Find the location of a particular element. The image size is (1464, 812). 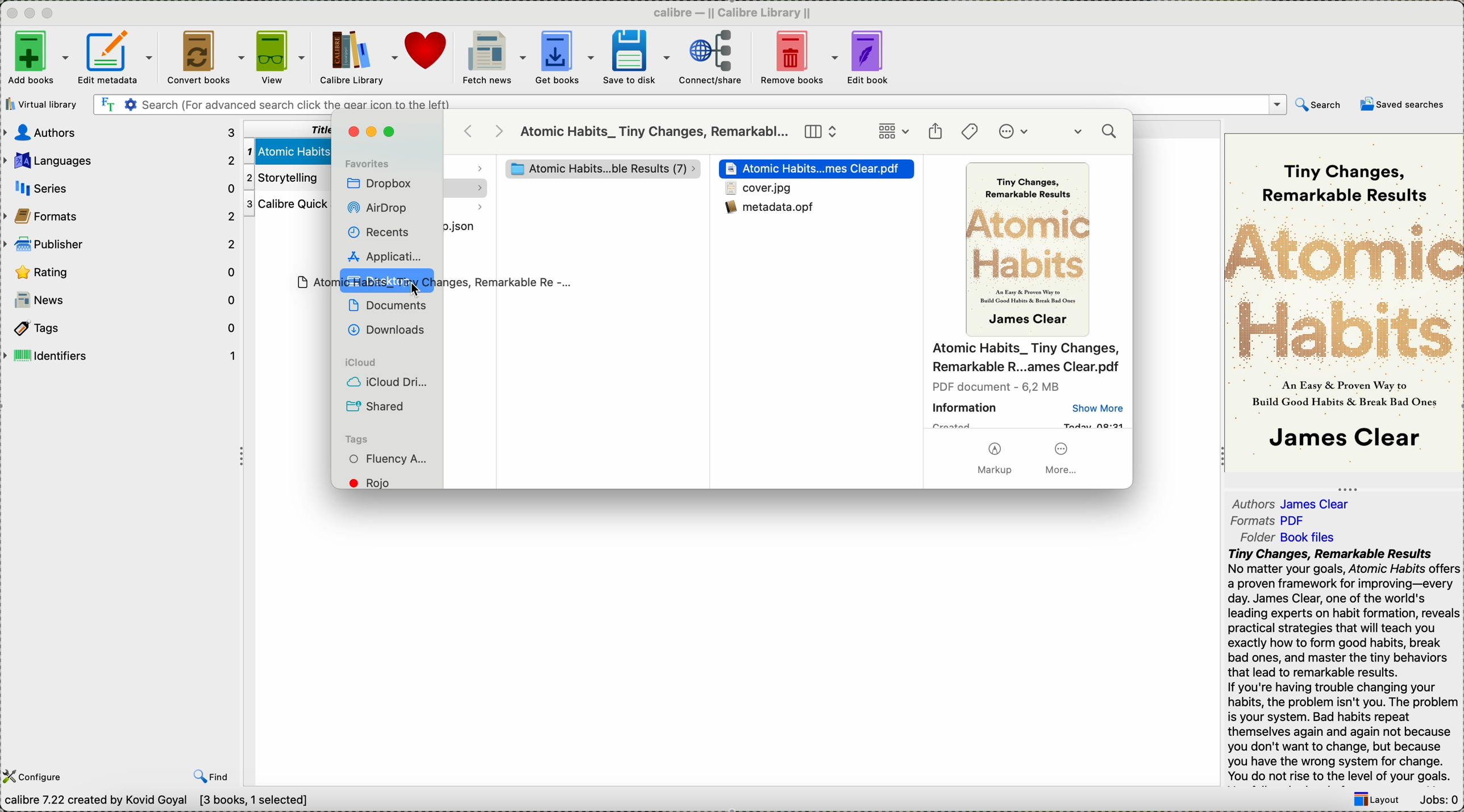

third book is located at coordinates (285, 205).